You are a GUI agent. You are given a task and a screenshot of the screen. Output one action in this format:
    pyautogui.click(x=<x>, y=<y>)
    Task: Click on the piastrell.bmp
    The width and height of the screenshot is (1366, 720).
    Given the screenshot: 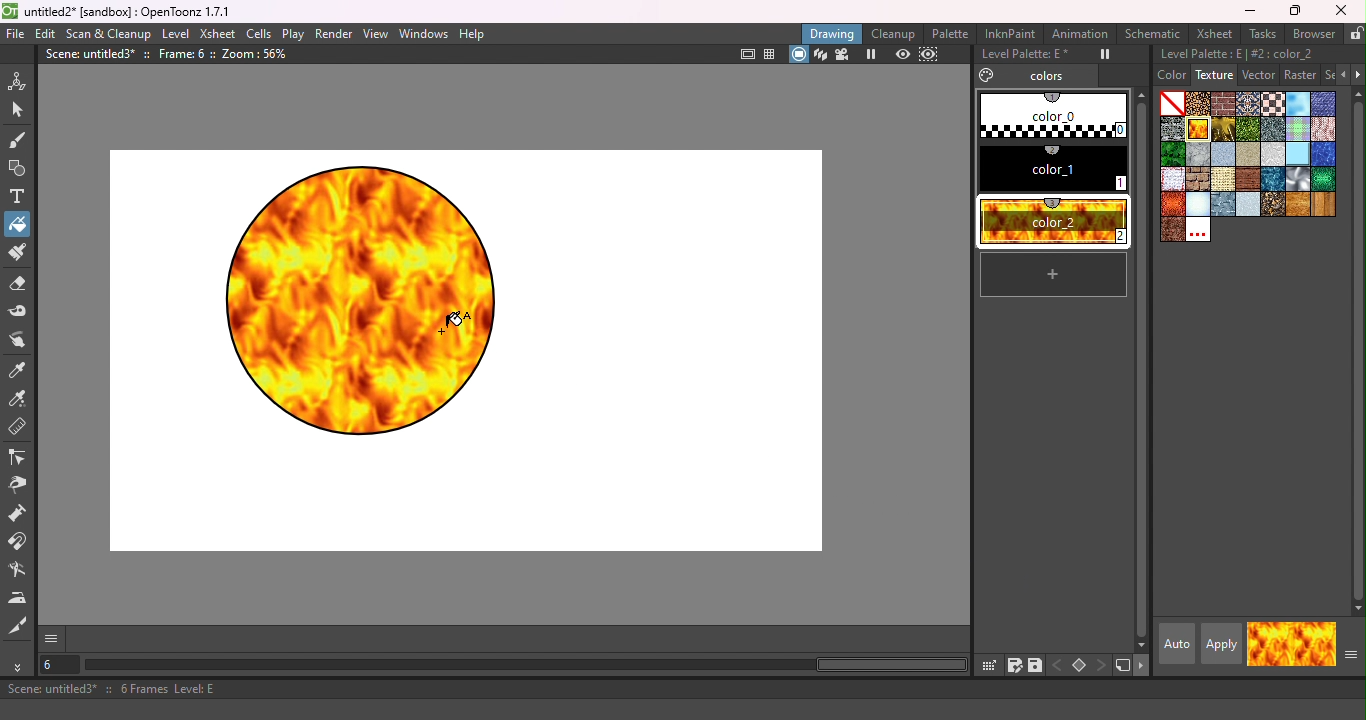 What is the action you would take?
    pyautogui.click(x=1298, y=154)
    